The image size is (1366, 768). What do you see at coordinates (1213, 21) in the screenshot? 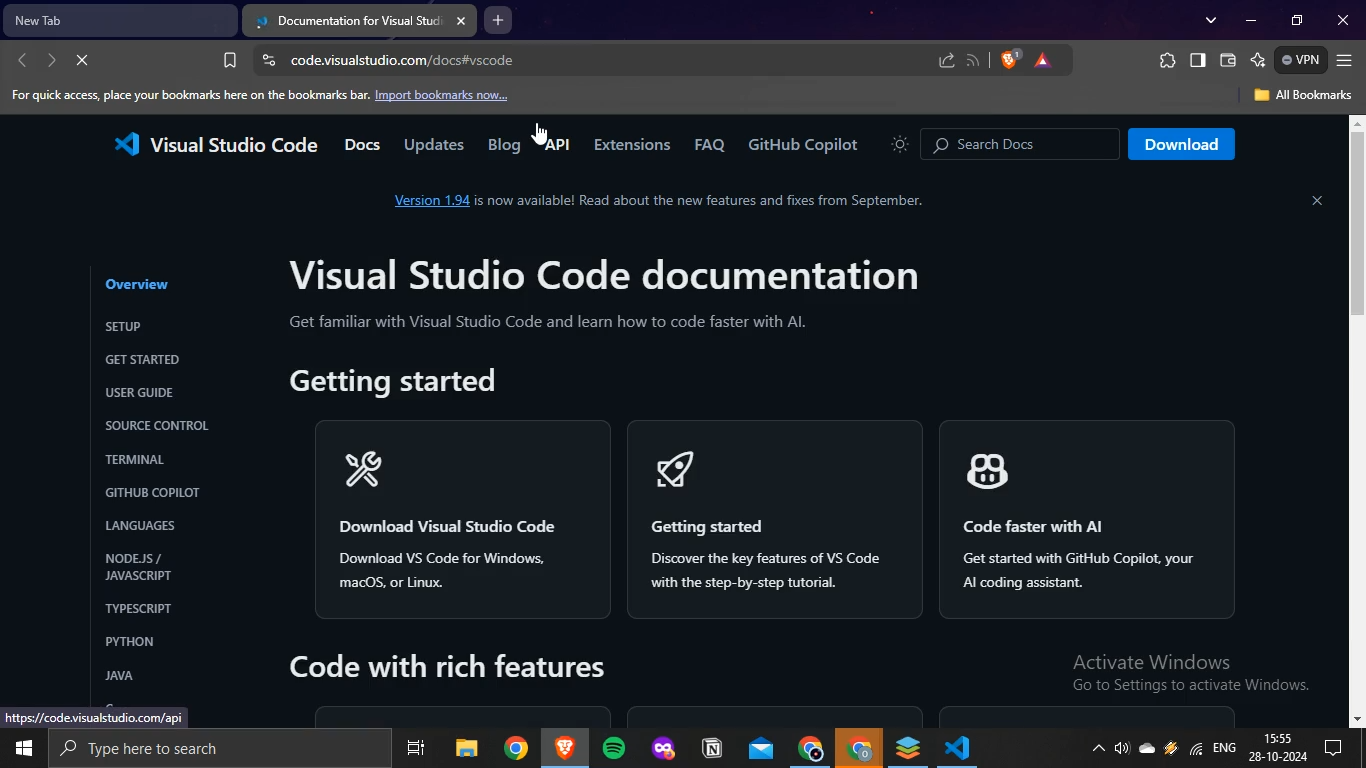
I see `search tabs` at bounding box center [1213, 21].